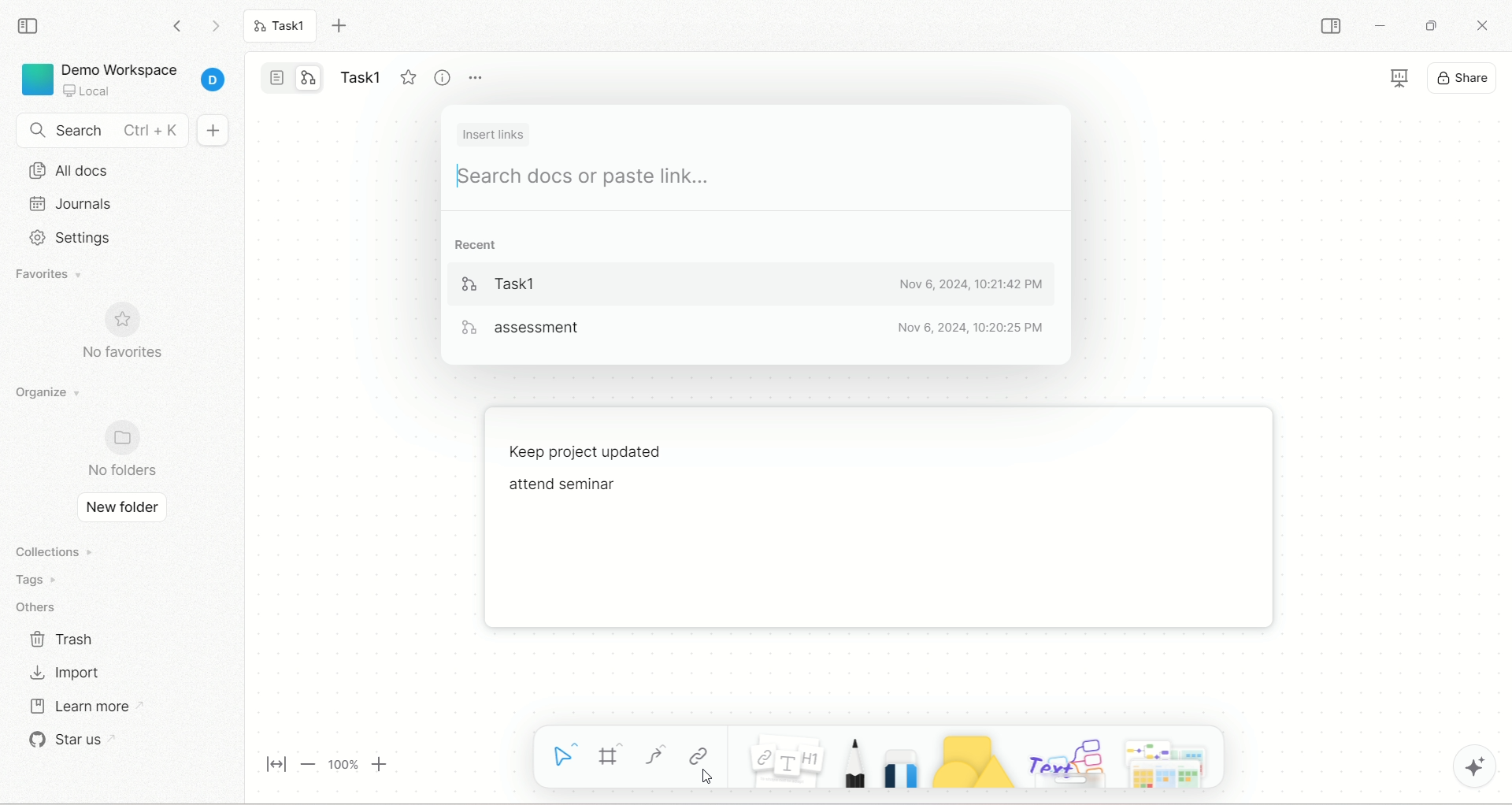 Image resolution: width=1512 pixels, height=805 pixels. I want to click on organize, so click(54, 391).